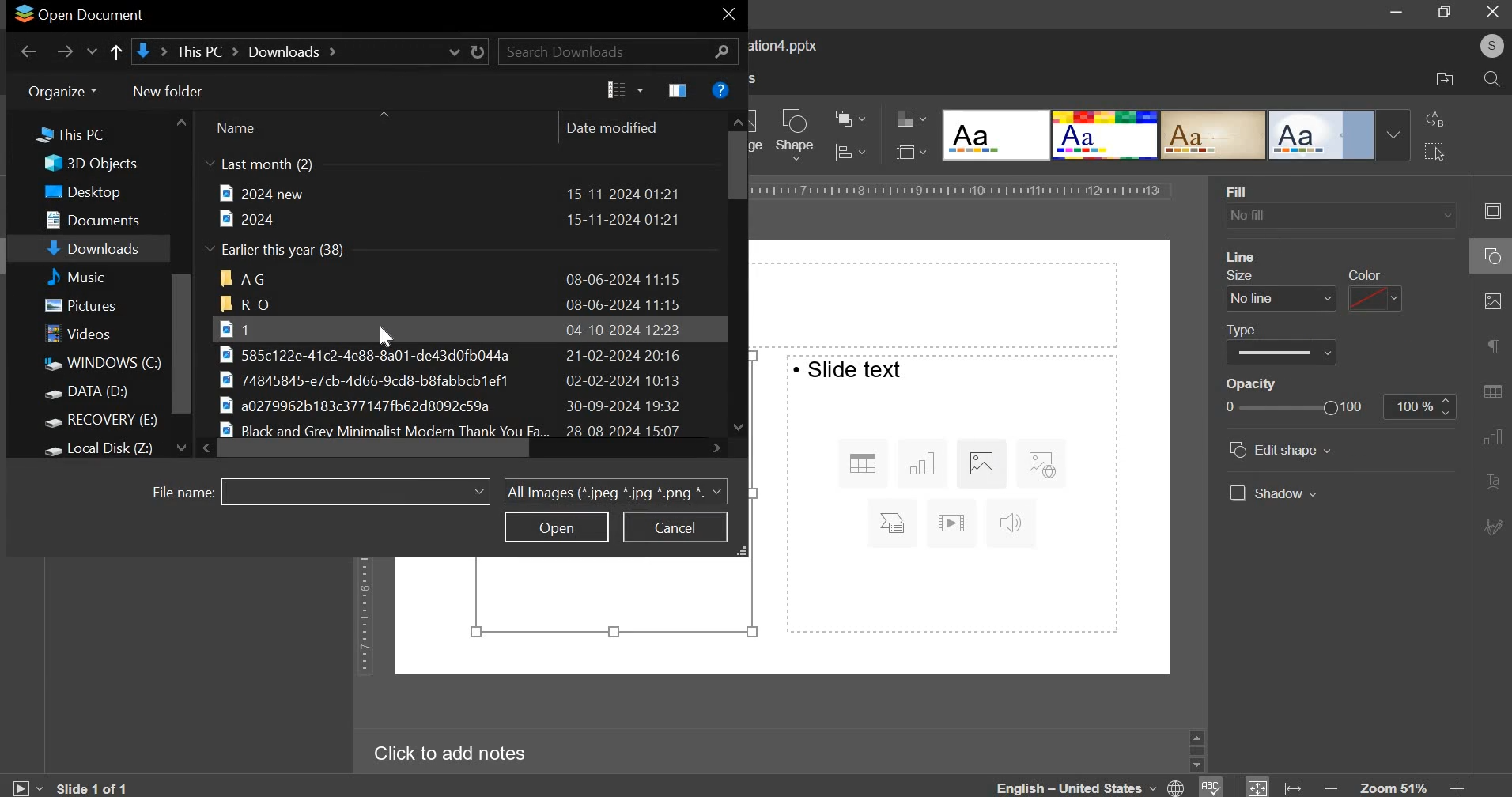 The height and width of the screenshot is (797, 1512). What do you see at coordinates (1495, 526) in the screenshot?
I see `signature` at bounding box center [1495, 526].